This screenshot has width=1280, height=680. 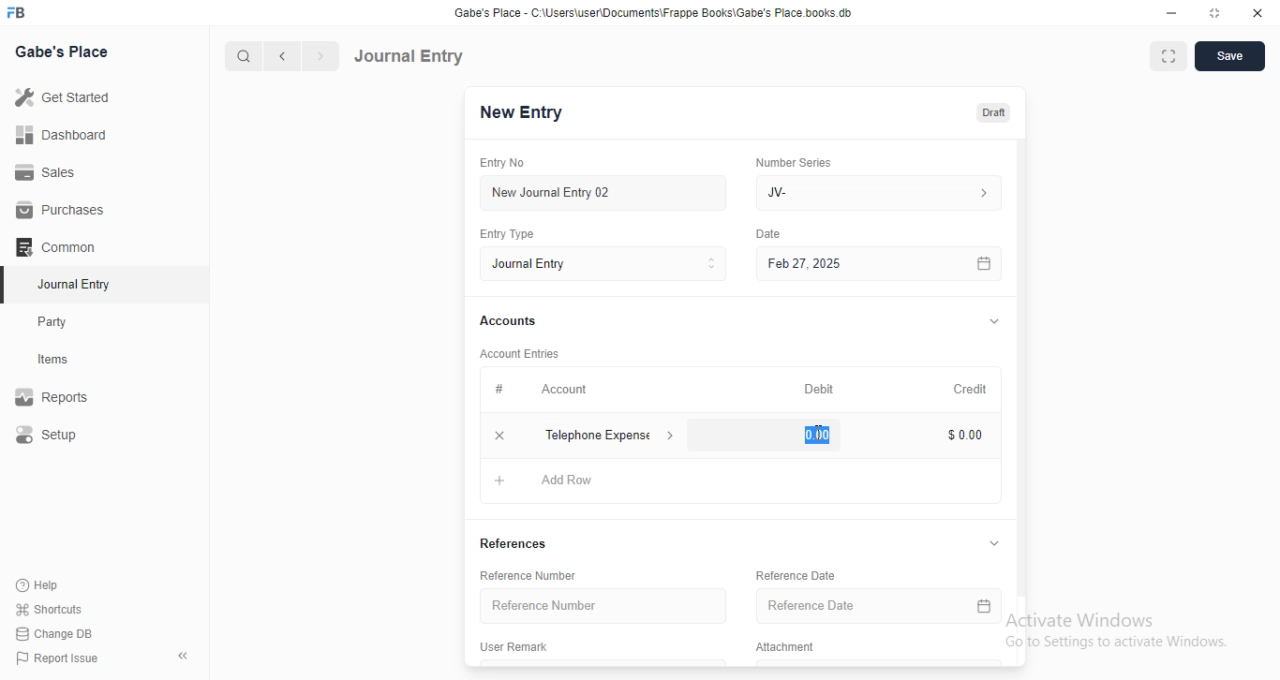 I want to click on Collapse, so click(x=184, y=656).